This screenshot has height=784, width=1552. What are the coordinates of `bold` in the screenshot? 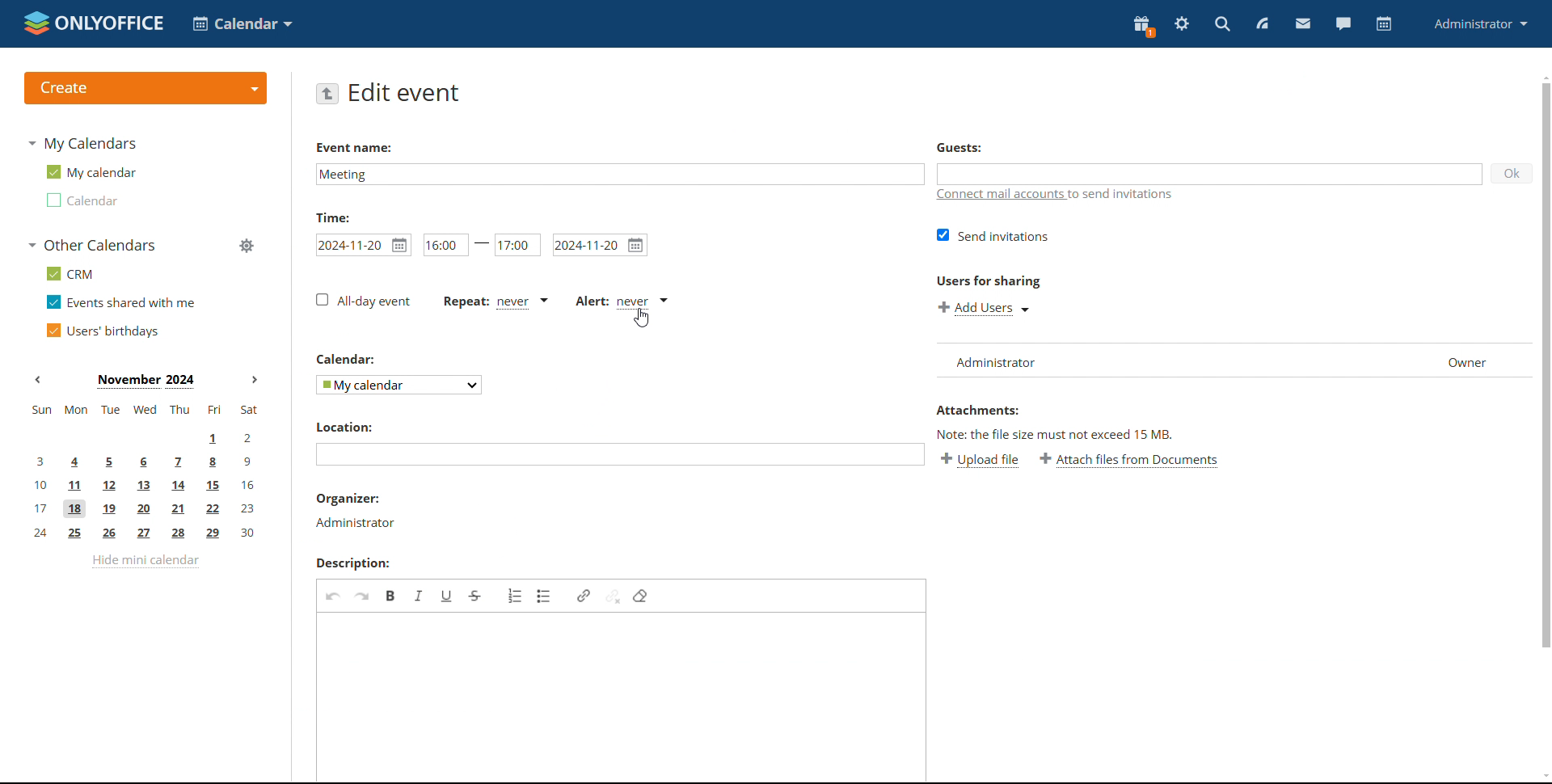 It's located at (391, 596).